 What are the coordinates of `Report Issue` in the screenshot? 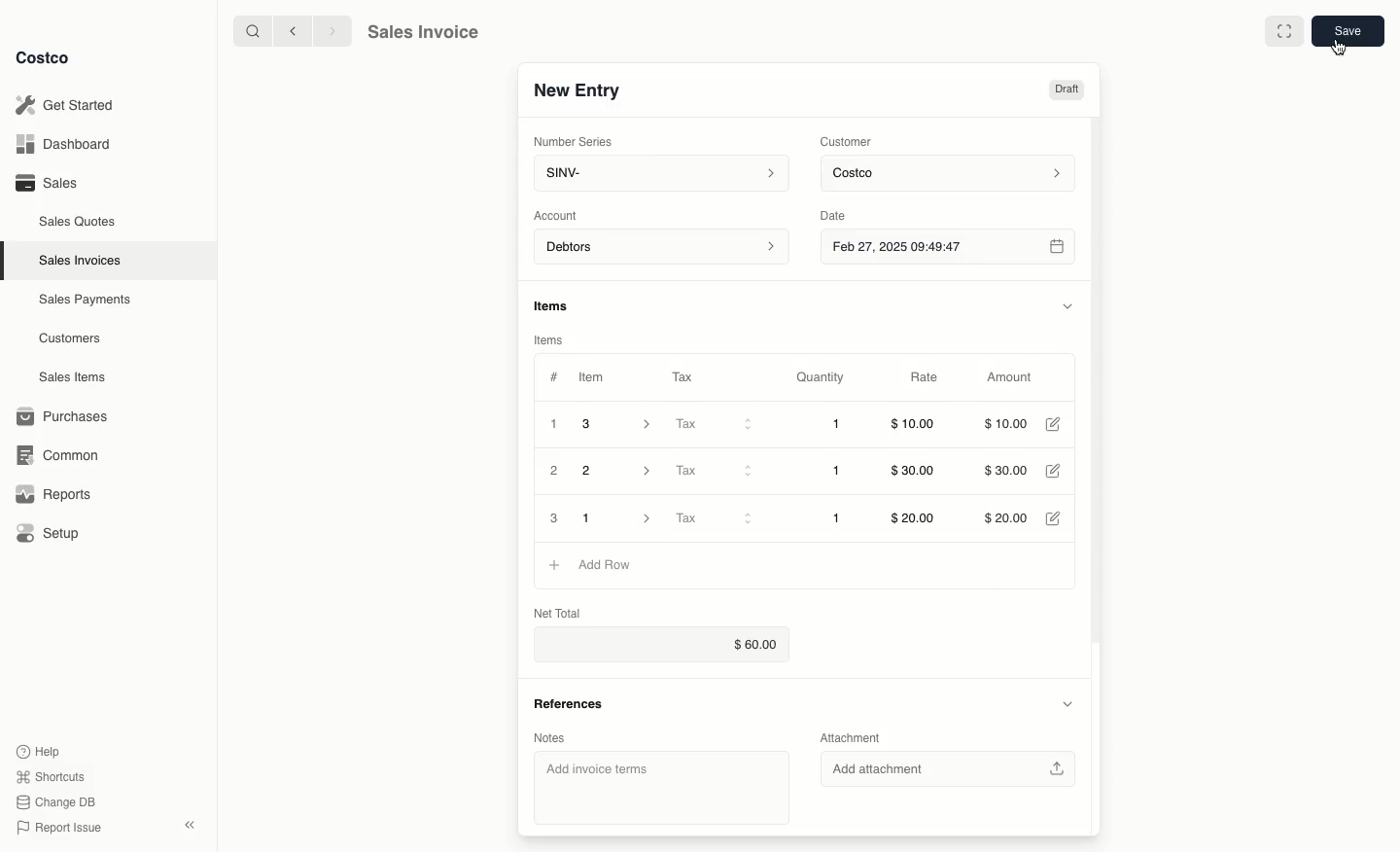 It's located at (59, 828).